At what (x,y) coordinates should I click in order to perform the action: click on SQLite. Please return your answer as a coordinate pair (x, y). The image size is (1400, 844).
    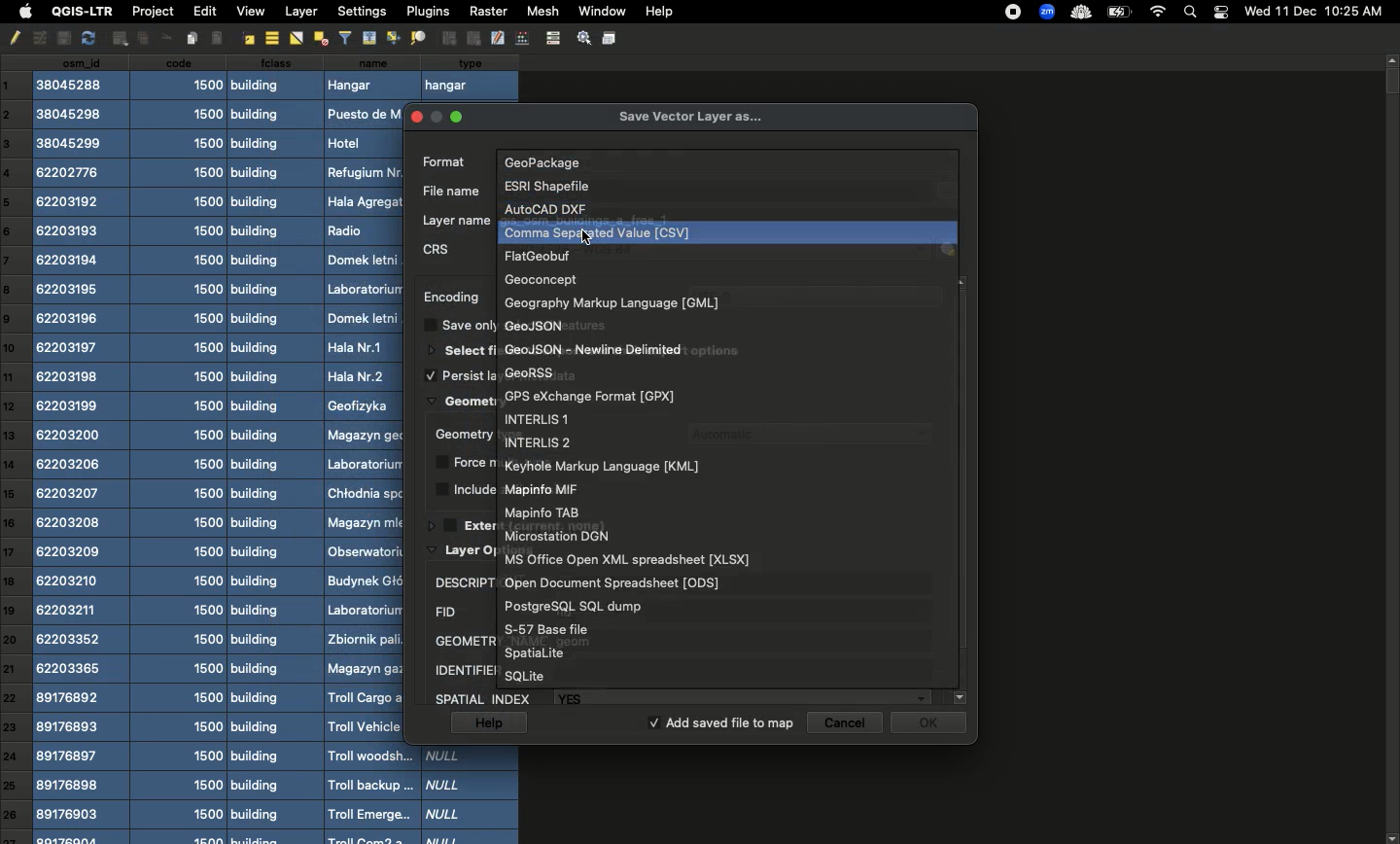
    Looking at the image, I should click on (528, 674).